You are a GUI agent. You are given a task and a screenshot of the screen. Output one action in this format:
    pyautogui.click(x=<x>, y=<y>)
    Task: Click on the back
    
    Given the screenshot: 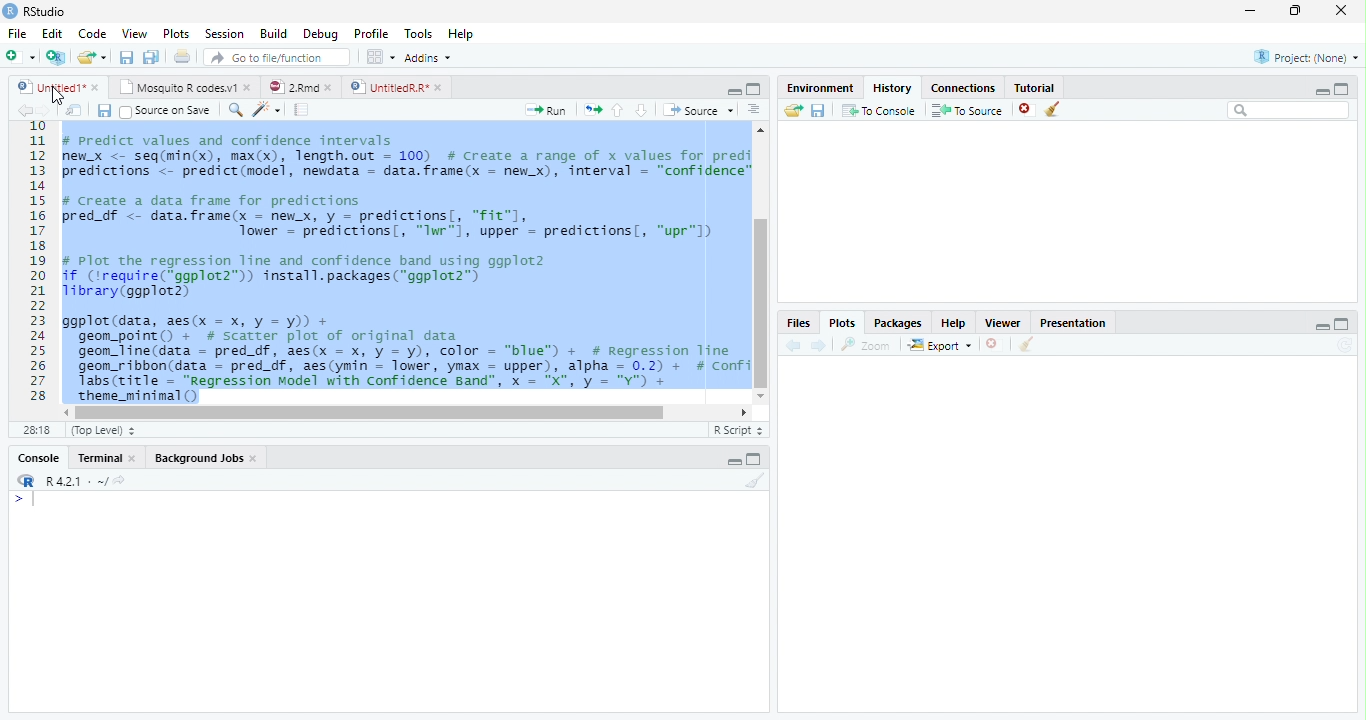 What is the action you would take?
    pyautogui.click(x=22, y=111)
    